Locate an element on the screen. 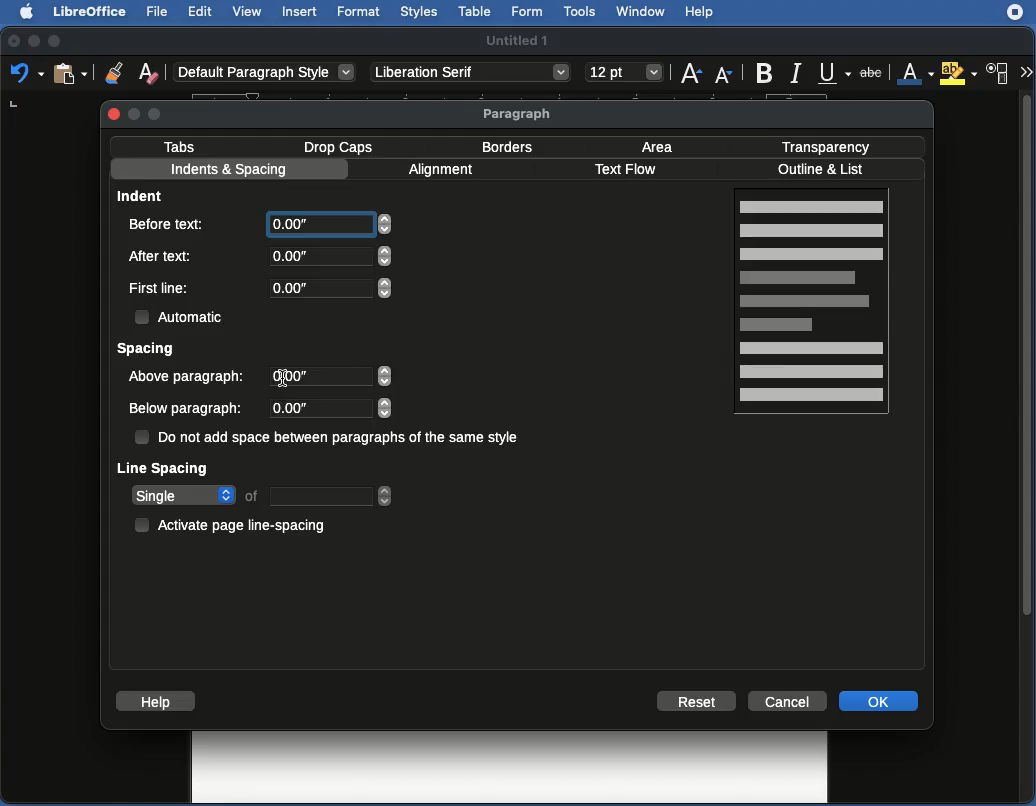 Image resolution: width=1036 pixels, height=806 pixels. Alignment is located at coordinates (444, 172).